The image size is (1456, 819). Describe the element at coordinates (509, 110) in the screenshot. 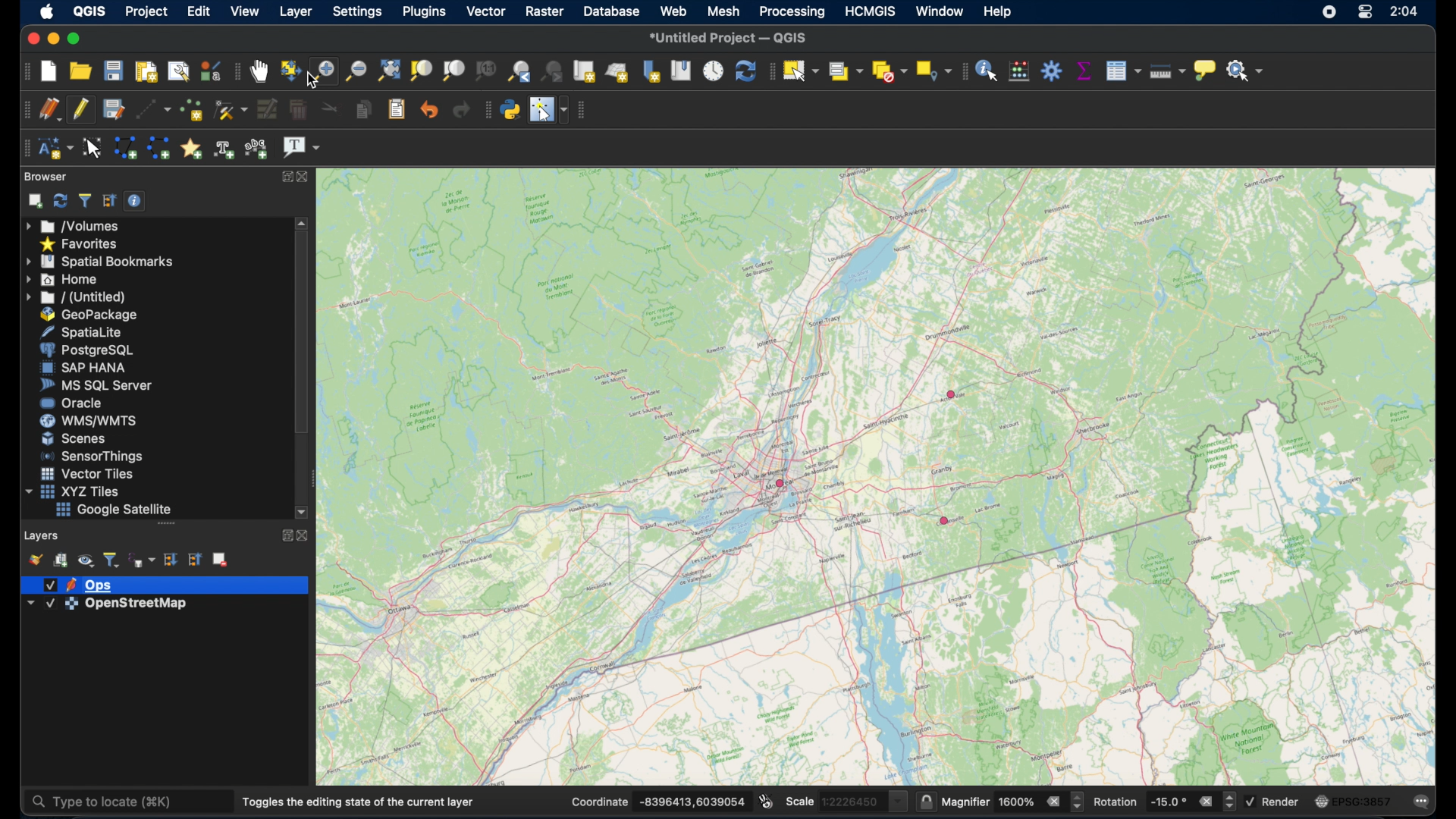

I see `python console` at that location.